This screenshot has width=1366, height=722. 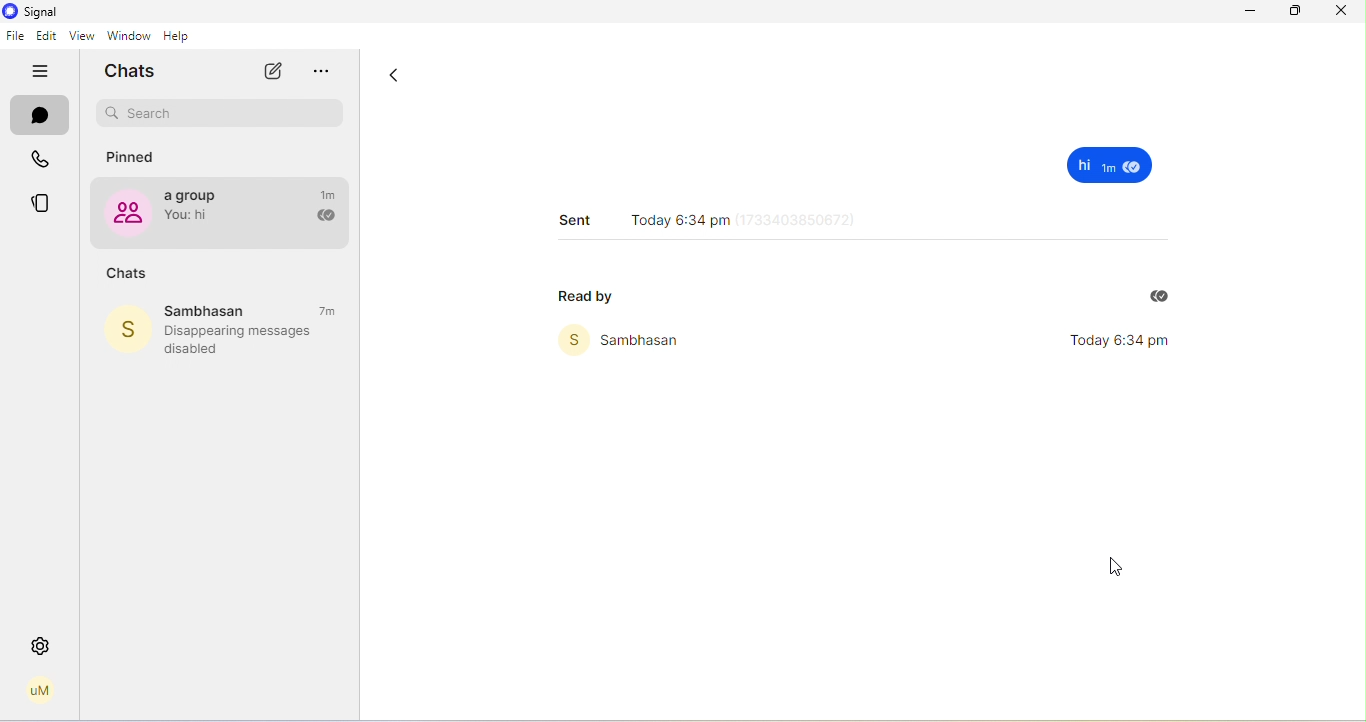 What do you see at coordinates (575, 218) in the screenshot?
I see `sent` at bounding box center [575, 218].